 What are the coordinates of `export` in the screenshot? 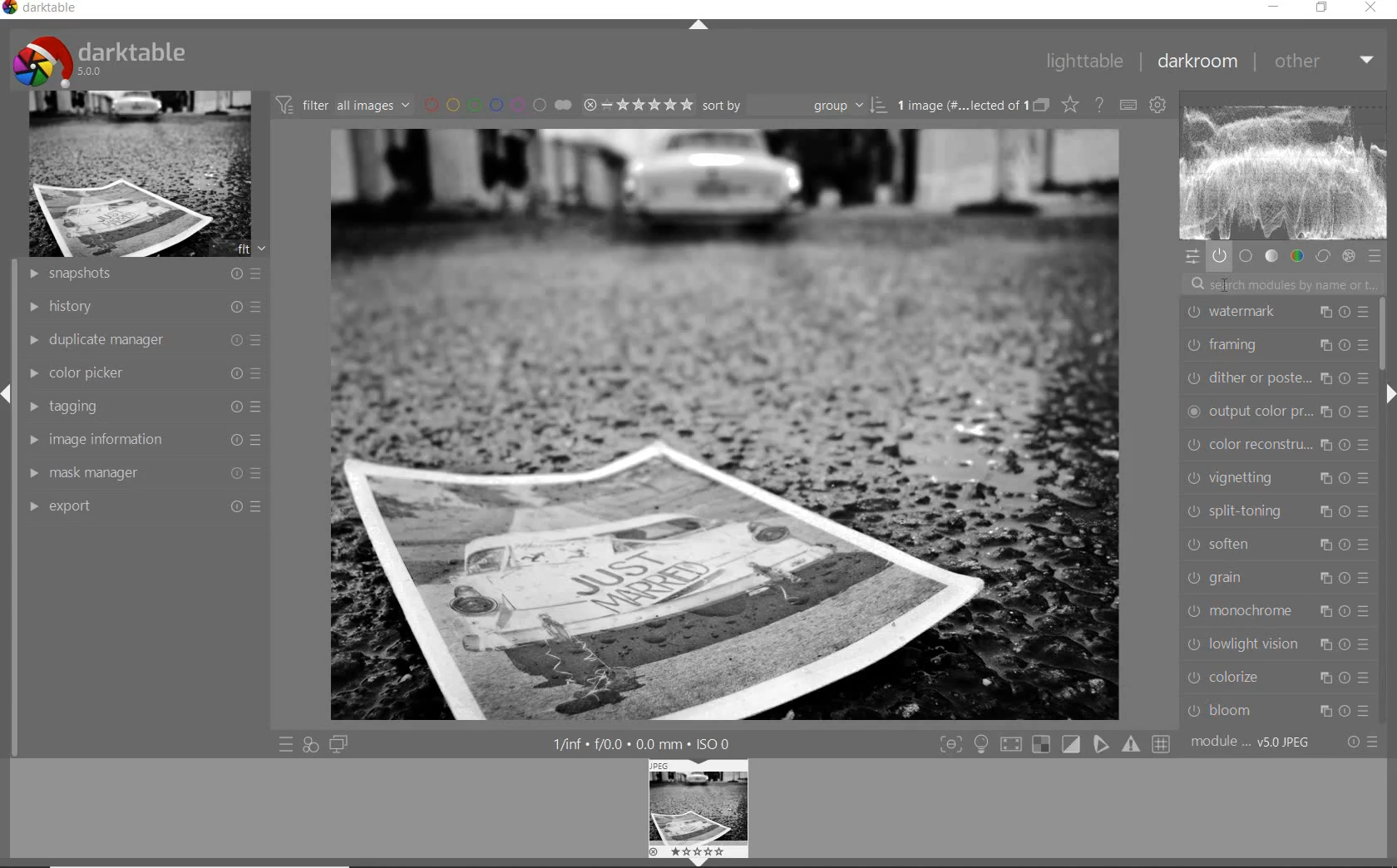 It's located at (143, 505).